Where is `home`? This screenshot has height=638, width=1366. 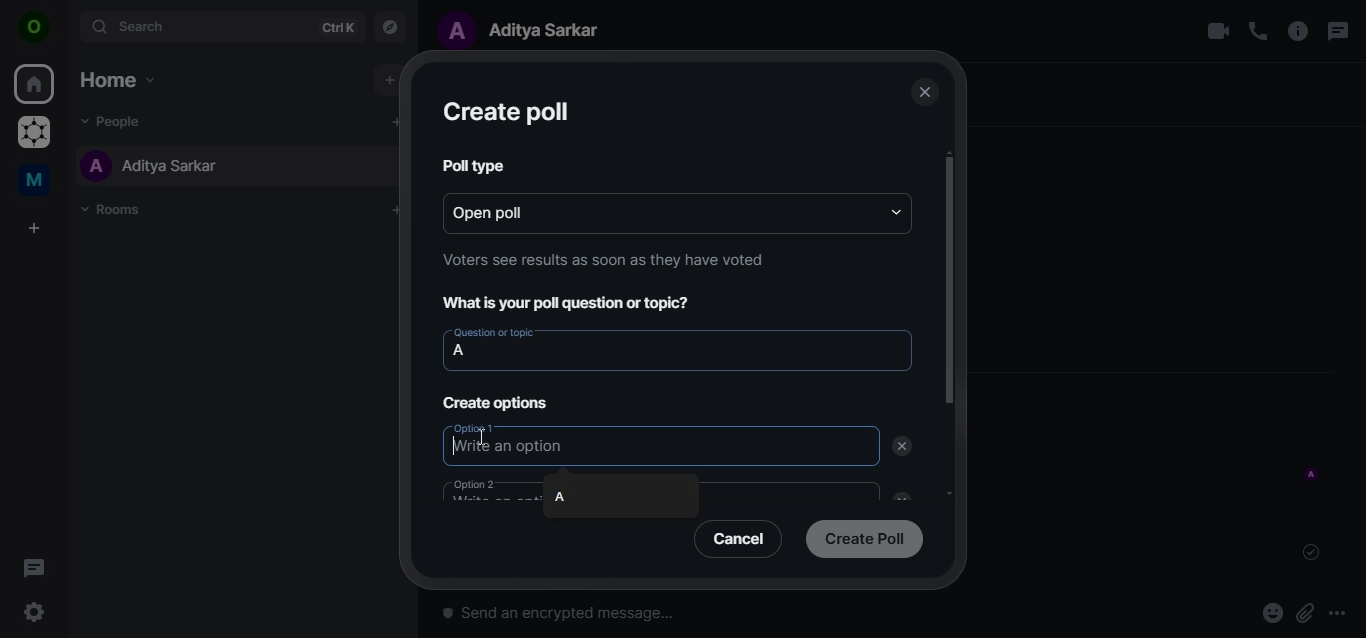
home is located at coordinates (36, 85).